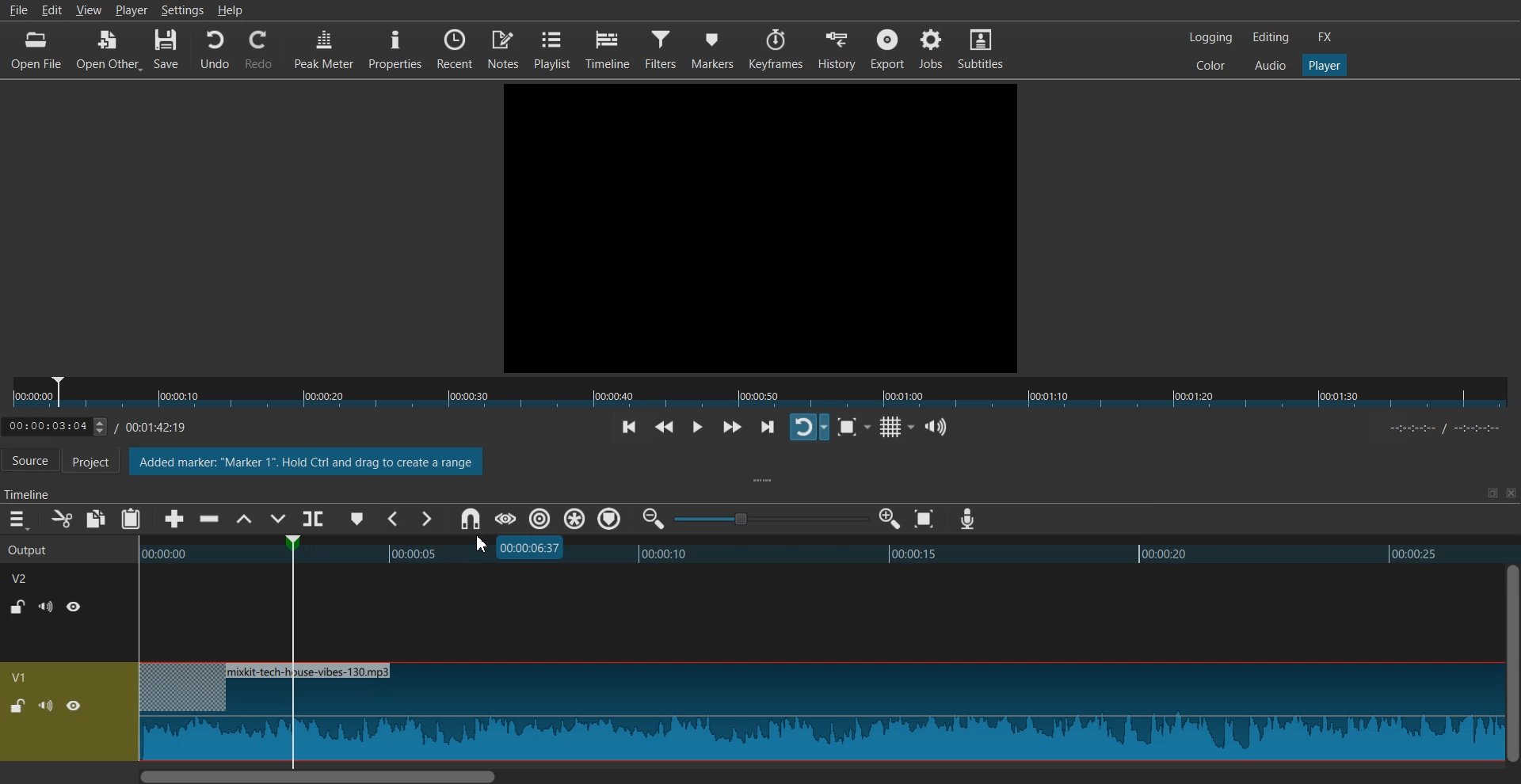  Describe the element at coordinates (713, 48) in the screenshot. I see `Markers` at that location.